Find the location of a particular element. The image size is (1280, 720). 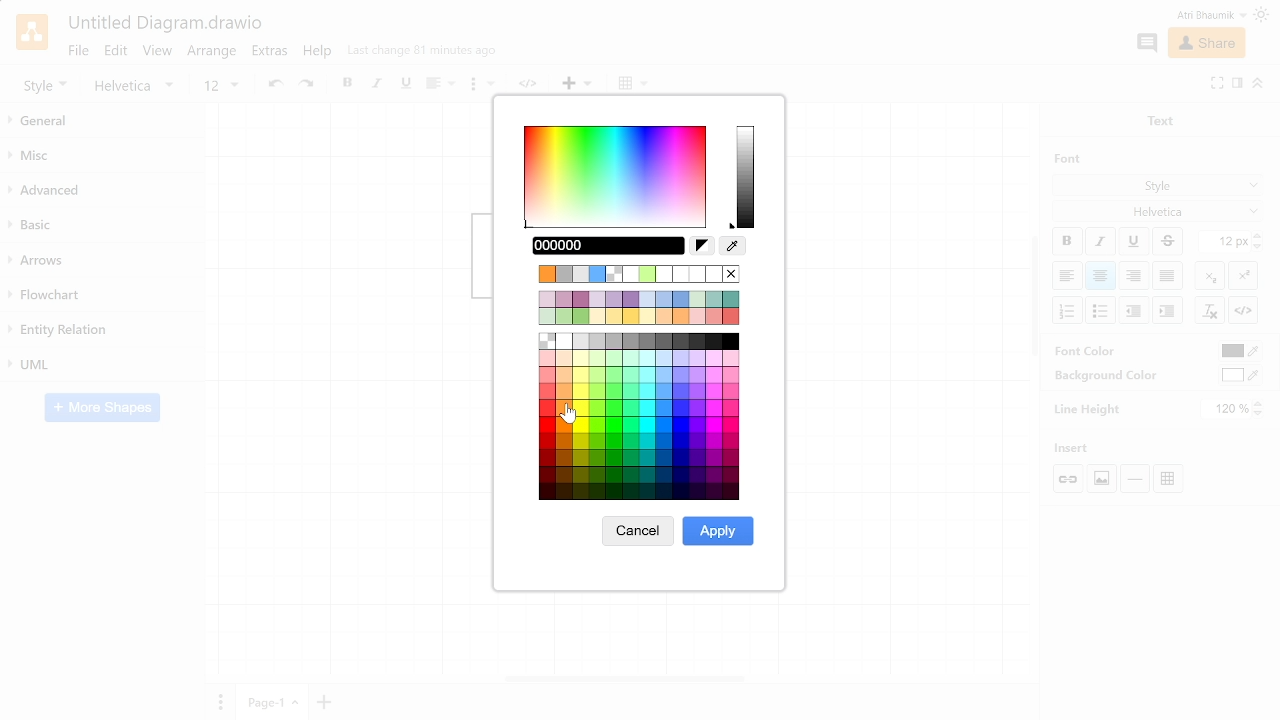

Numbering is located at coordinates (1068, 311).